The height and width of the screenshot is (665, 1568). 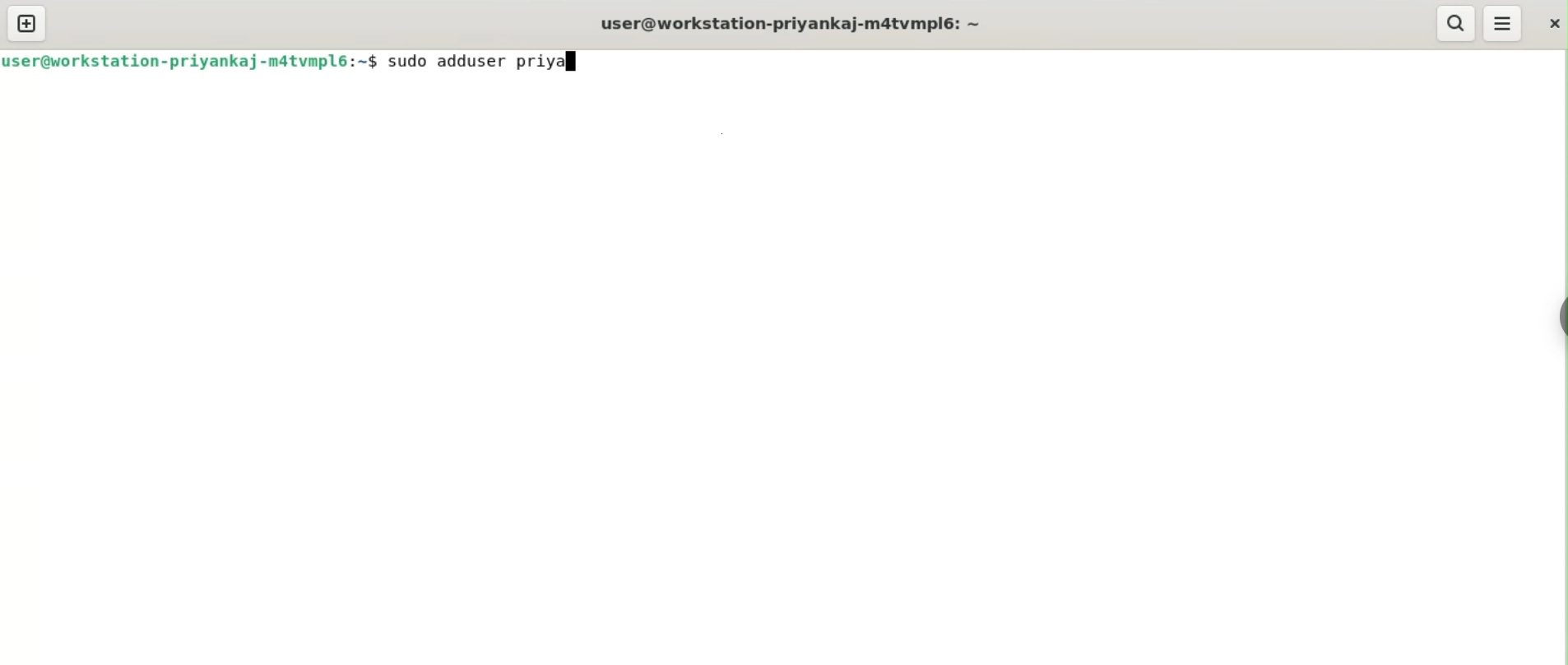 What do you see at coordinates (27, 23) in the screenshot?
I see `new tab` at bounding box center [27, 23].